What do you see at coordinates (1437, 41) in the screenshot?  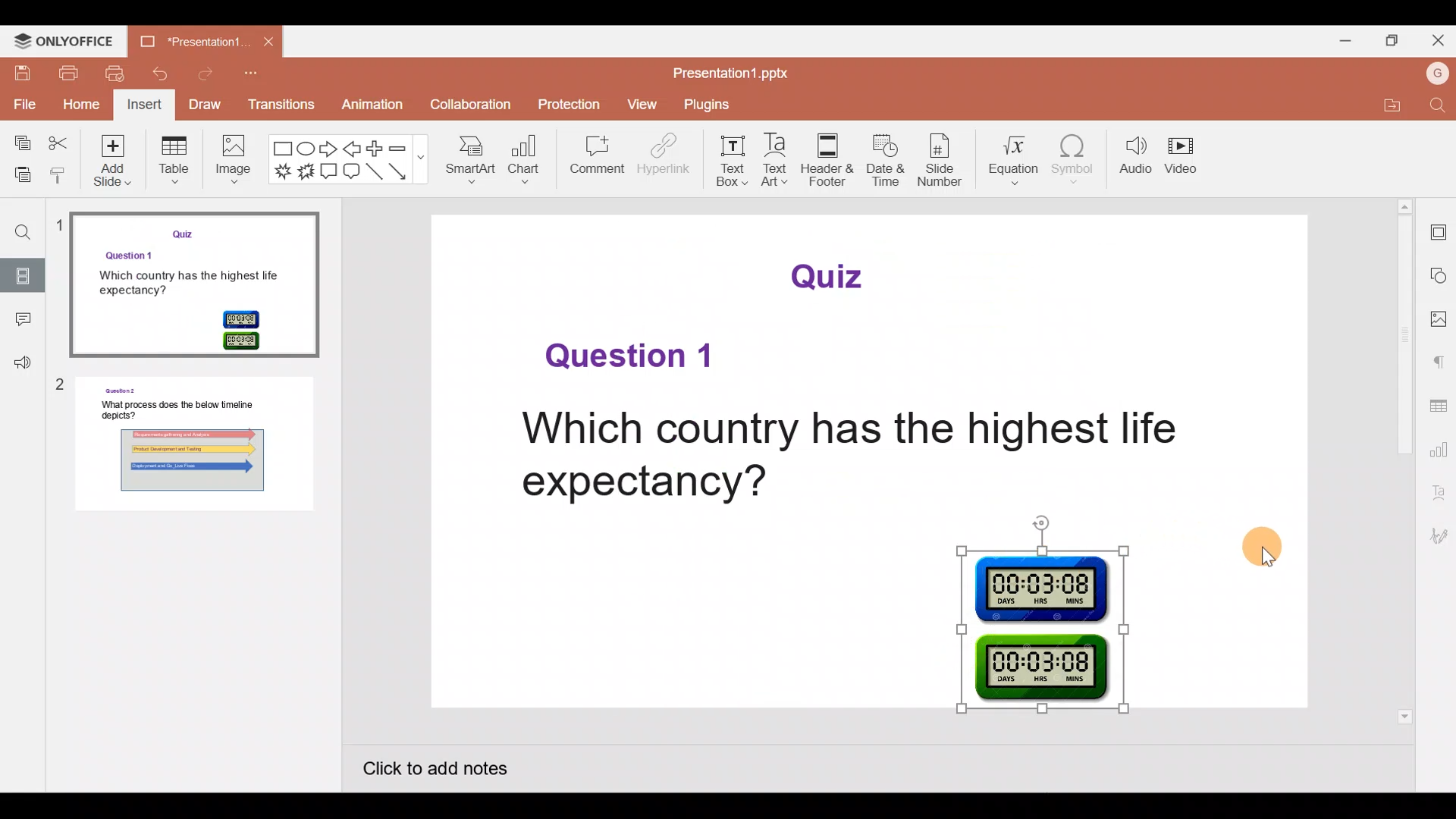 I see `Close` at bounding box center [1437, 41].